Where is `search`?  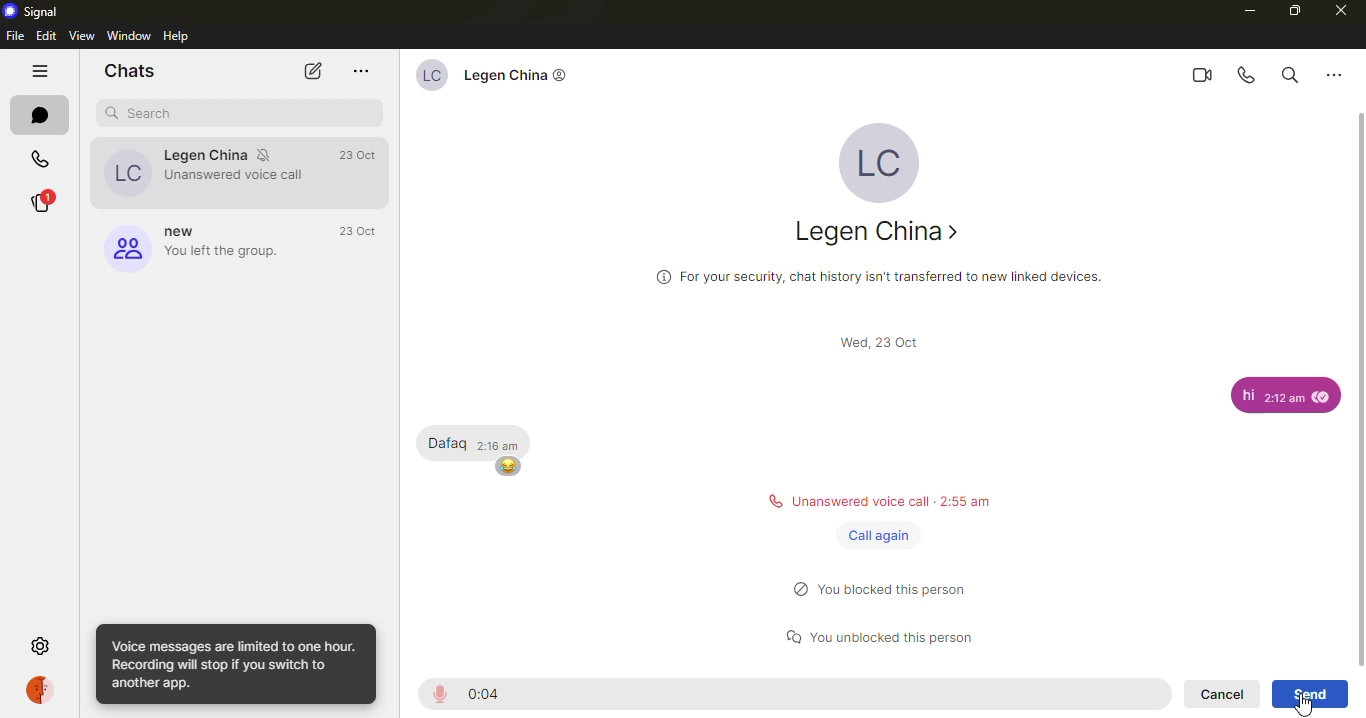 search is located at coordinates (145, 113).